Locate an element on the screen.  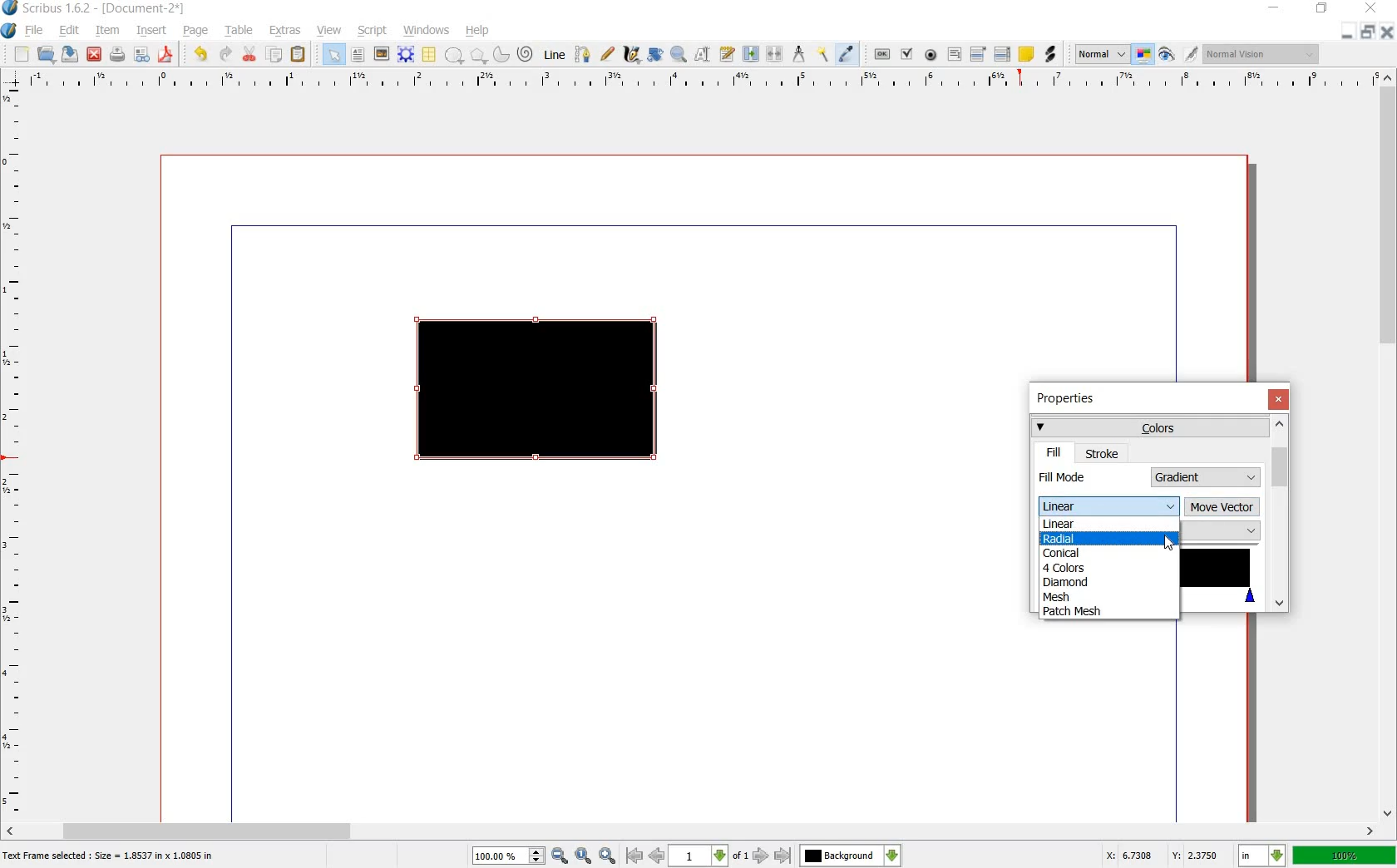
100% is located at coordinates (1345, 855).